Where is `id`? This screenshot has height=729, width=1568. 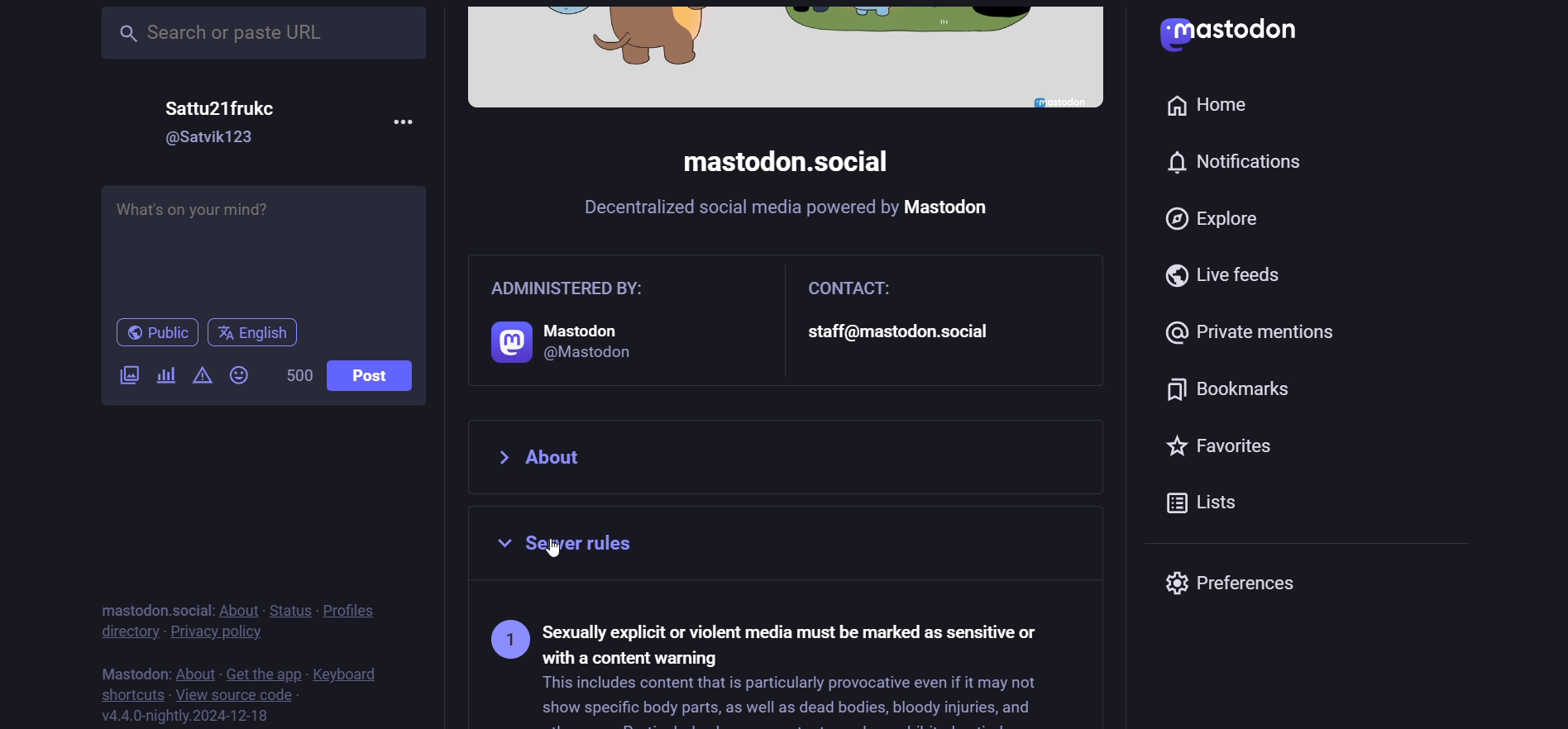 id is located at coordinates (213, 138).